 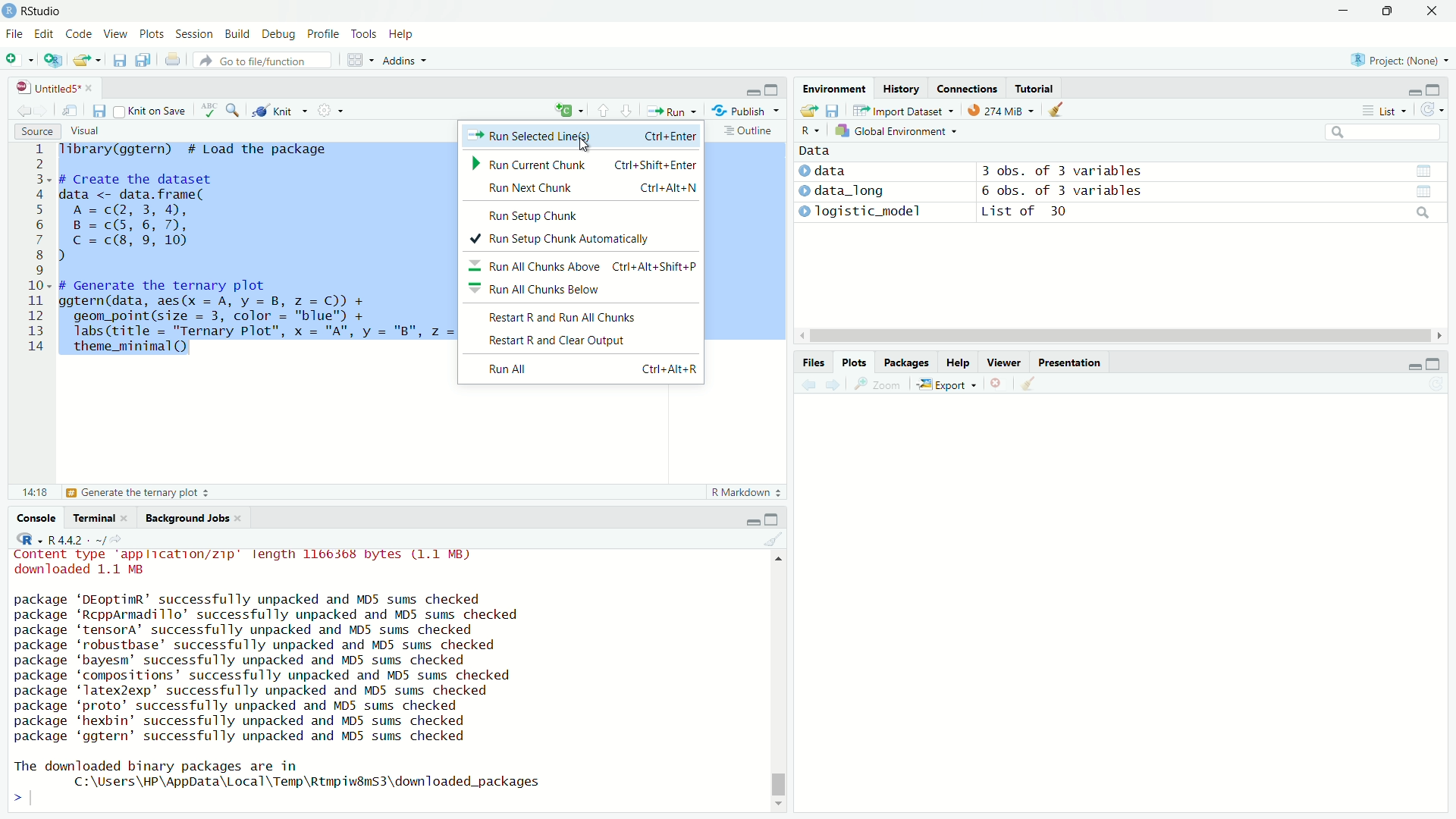 I want to click on : Outline, so click(x=746, y=132).